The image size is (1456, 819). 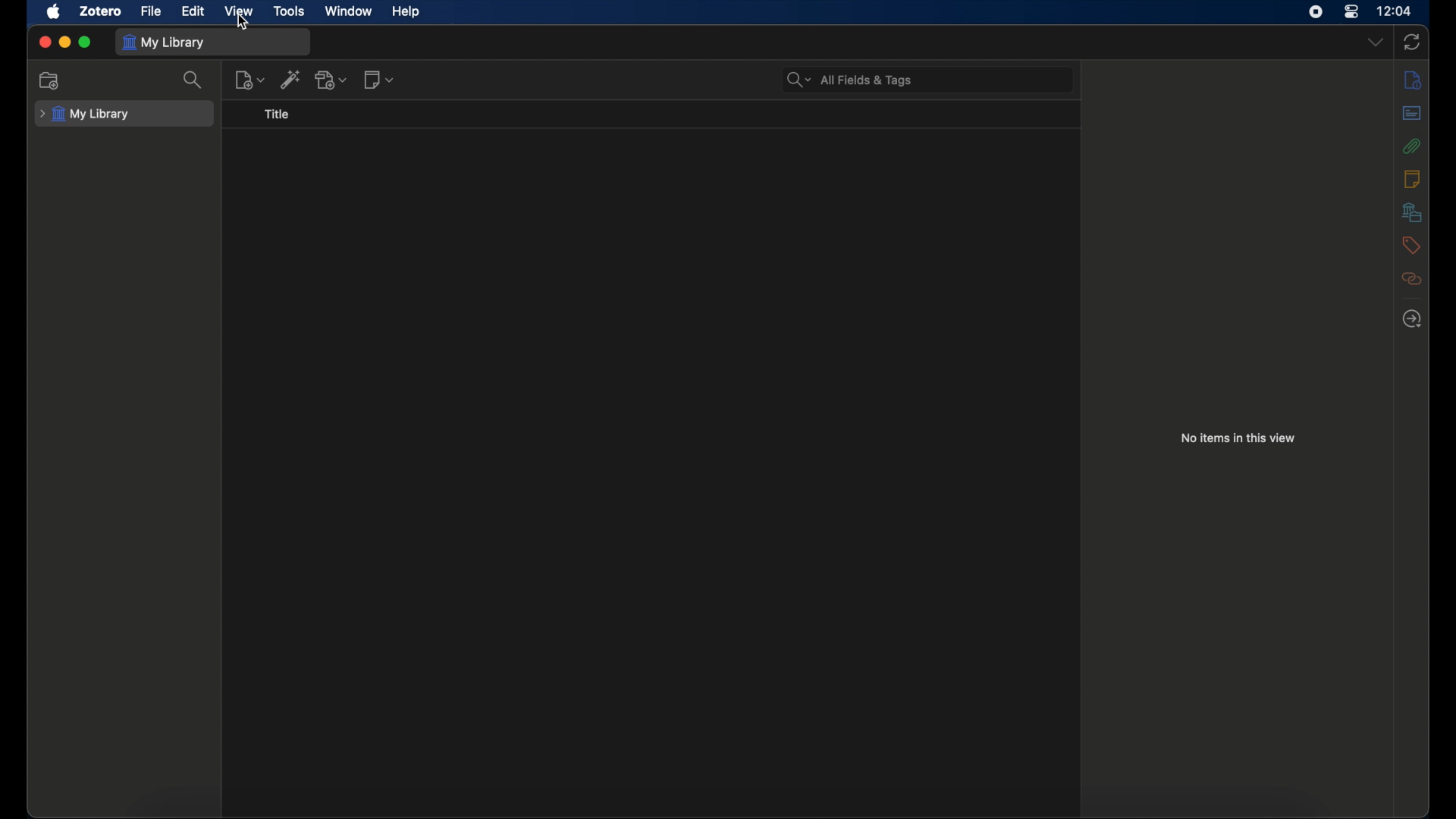 What do you see at coordinates (1377, 41) in the screenshot?
I see `dropdown` at bounding box center [1377, 41].